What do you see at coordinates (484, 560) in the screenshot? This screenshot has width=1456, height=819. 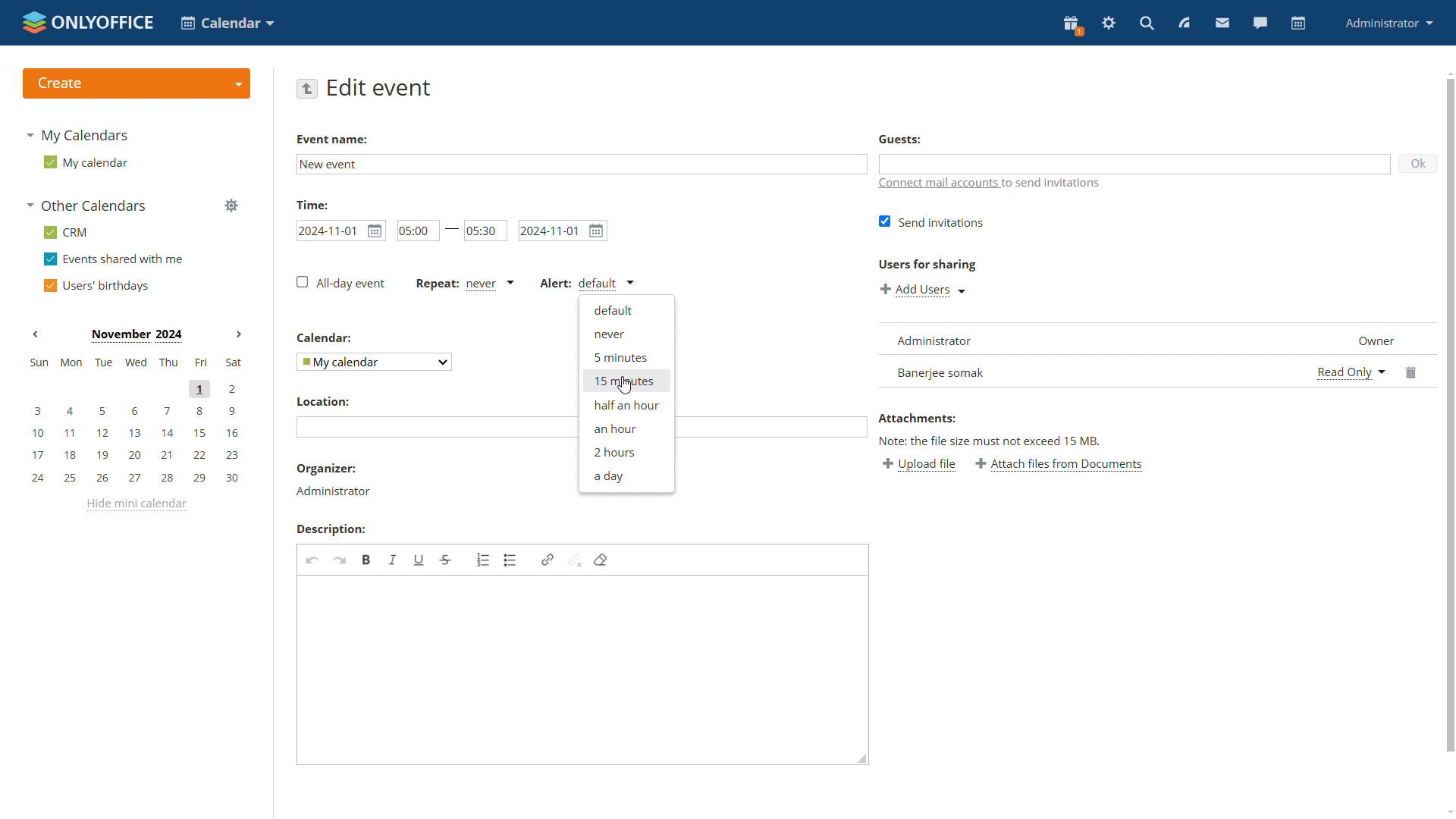 I see `insert/remove numbered list` at bounding box center [484, 560].